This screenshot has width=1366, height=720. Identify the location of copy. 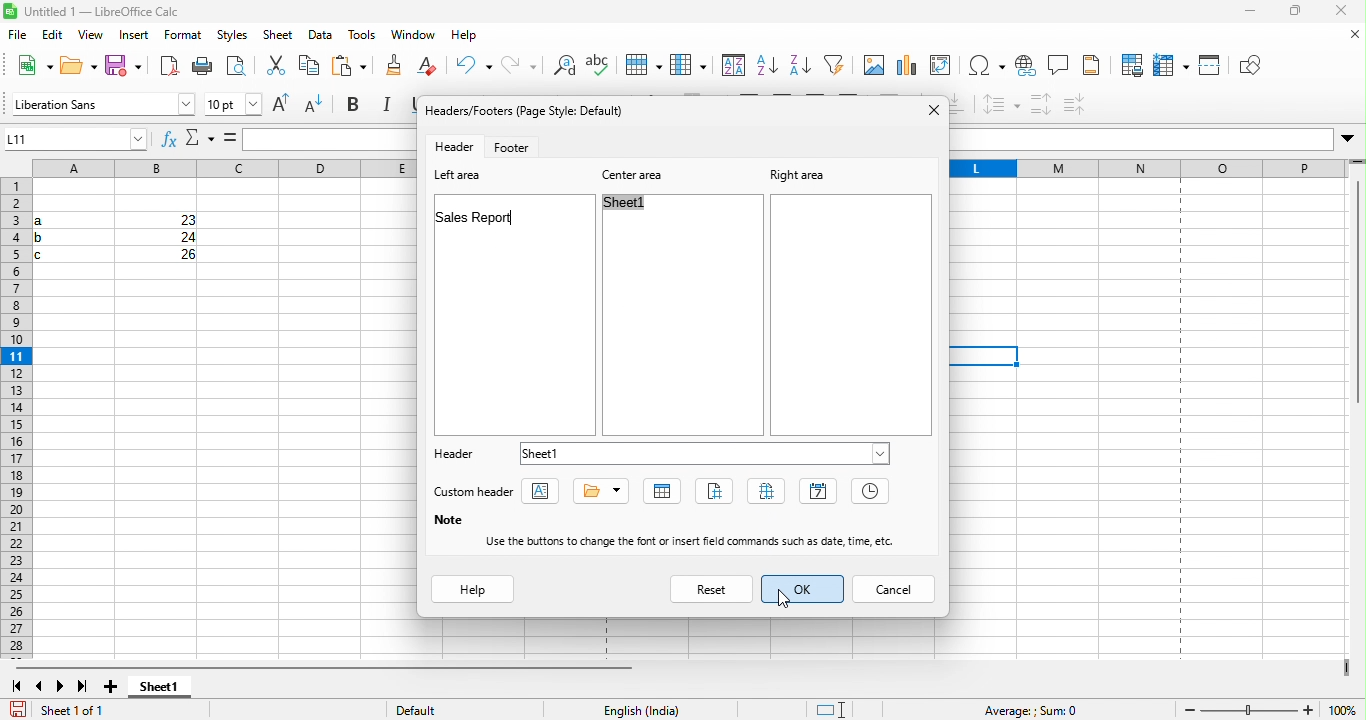
(276, 67).